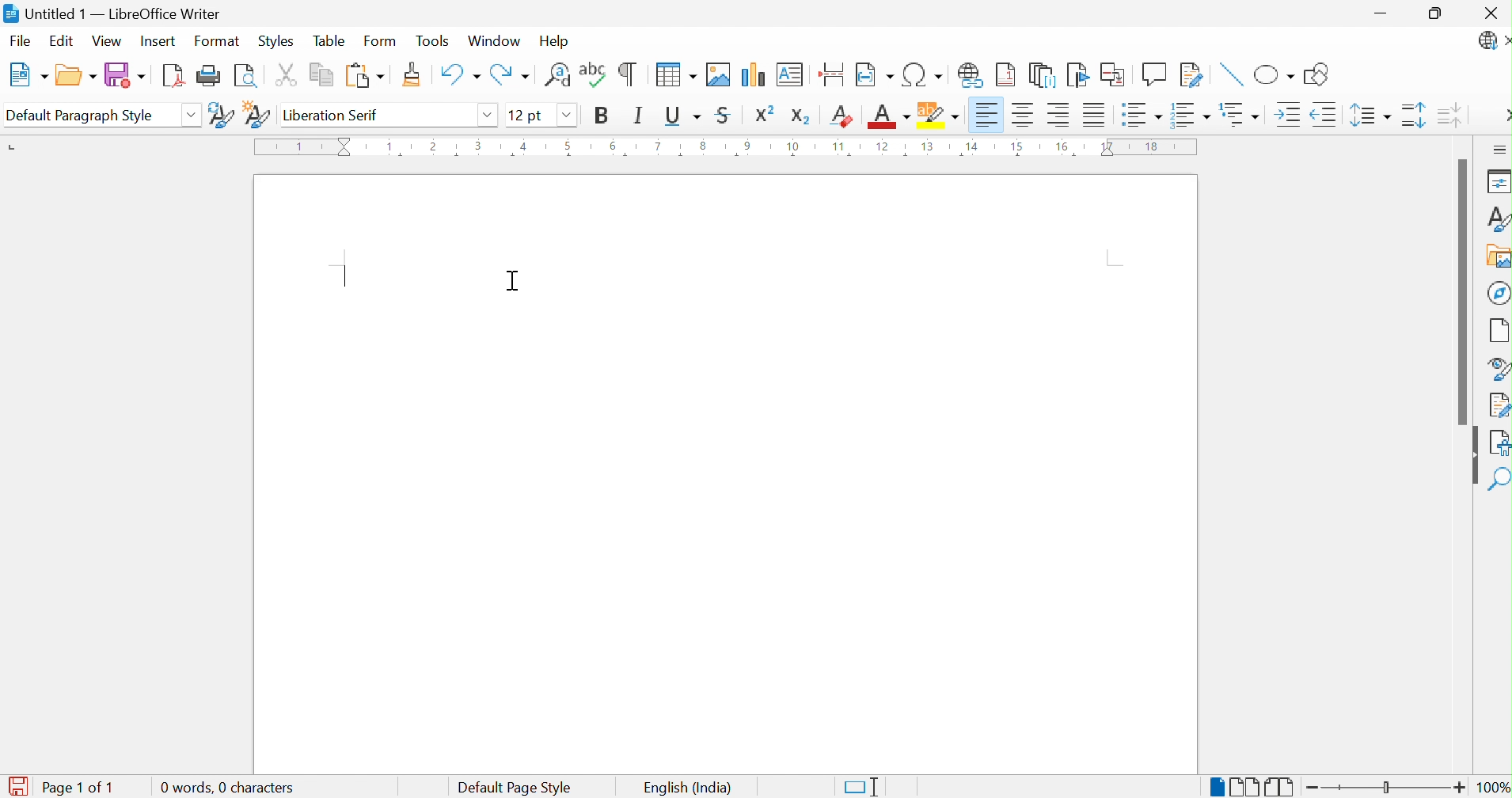 The image size is (1512, 798). What do you see at coordinates (1503, 116) in the screenshot?
I see `More` at bounding box center [1503, 116].